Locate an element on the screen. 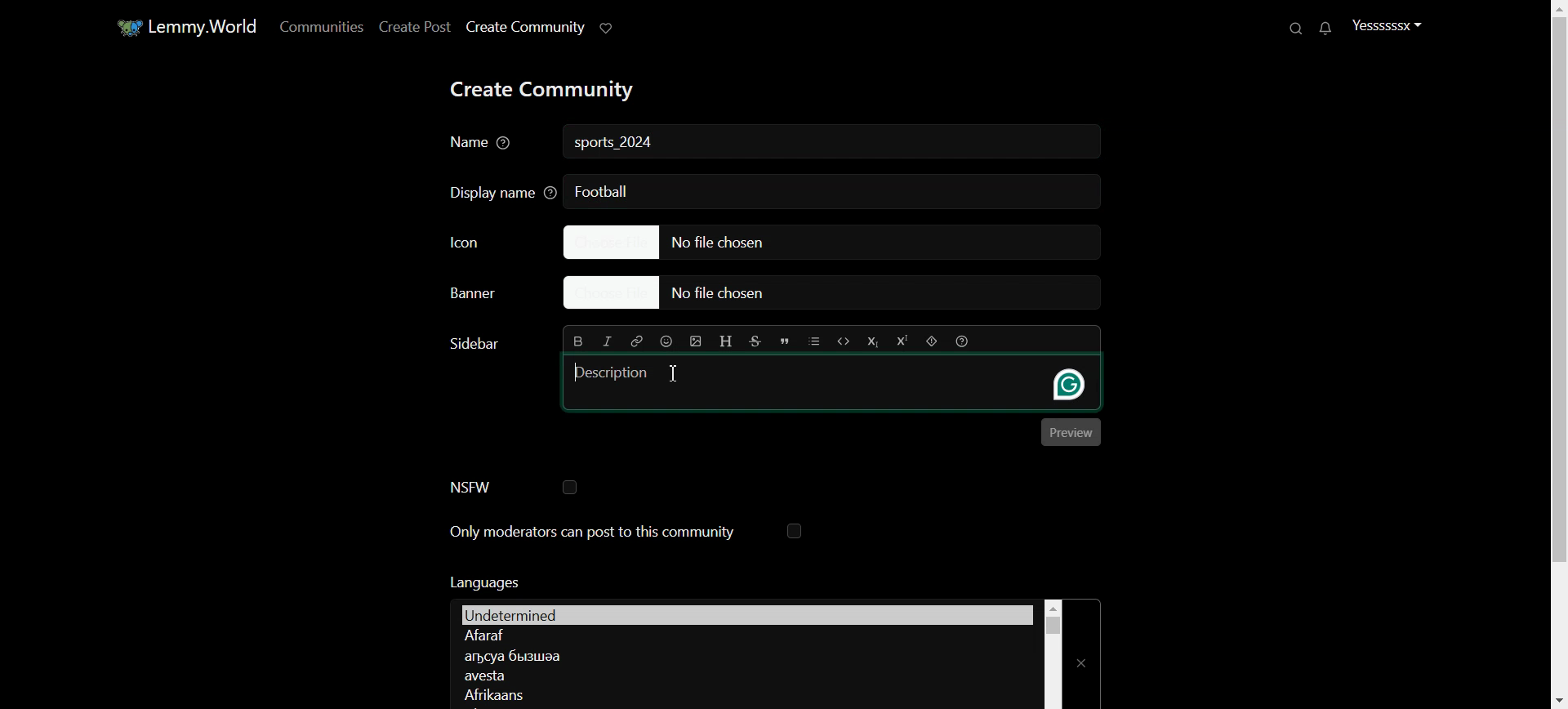  Quote is located at coordinates (785, 341).